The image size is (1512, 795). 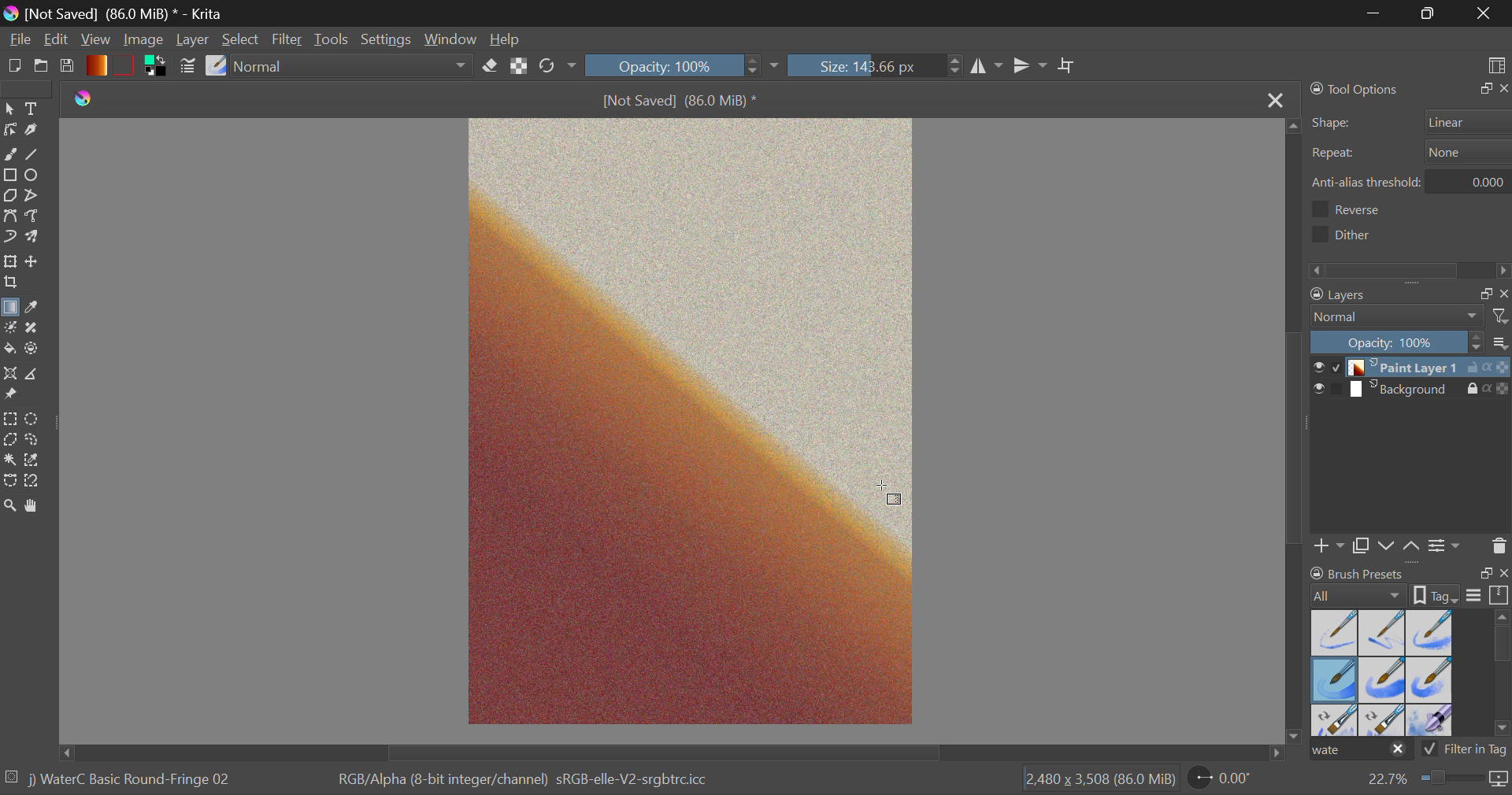 I want to click on Freehand, so click(x=11, y=154).